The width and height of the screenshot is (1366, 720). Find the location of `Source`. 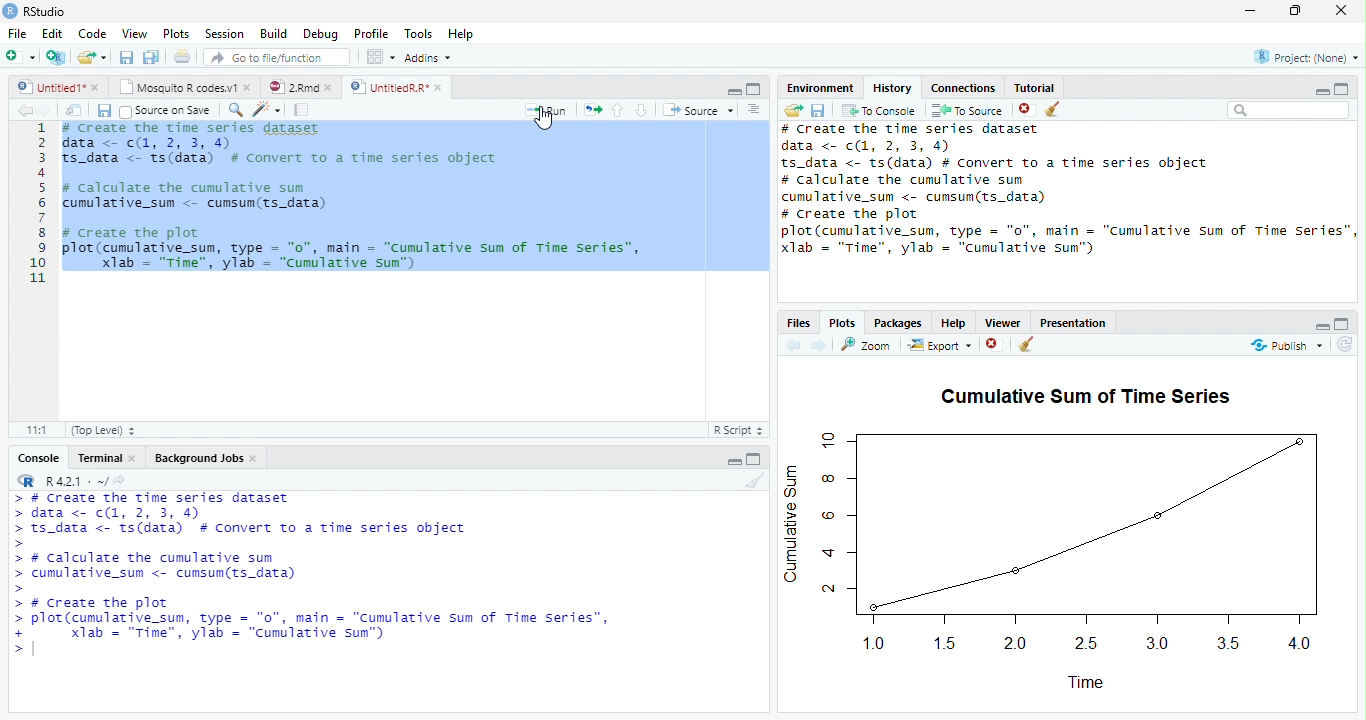

Source is located at coordinates (697, 110).